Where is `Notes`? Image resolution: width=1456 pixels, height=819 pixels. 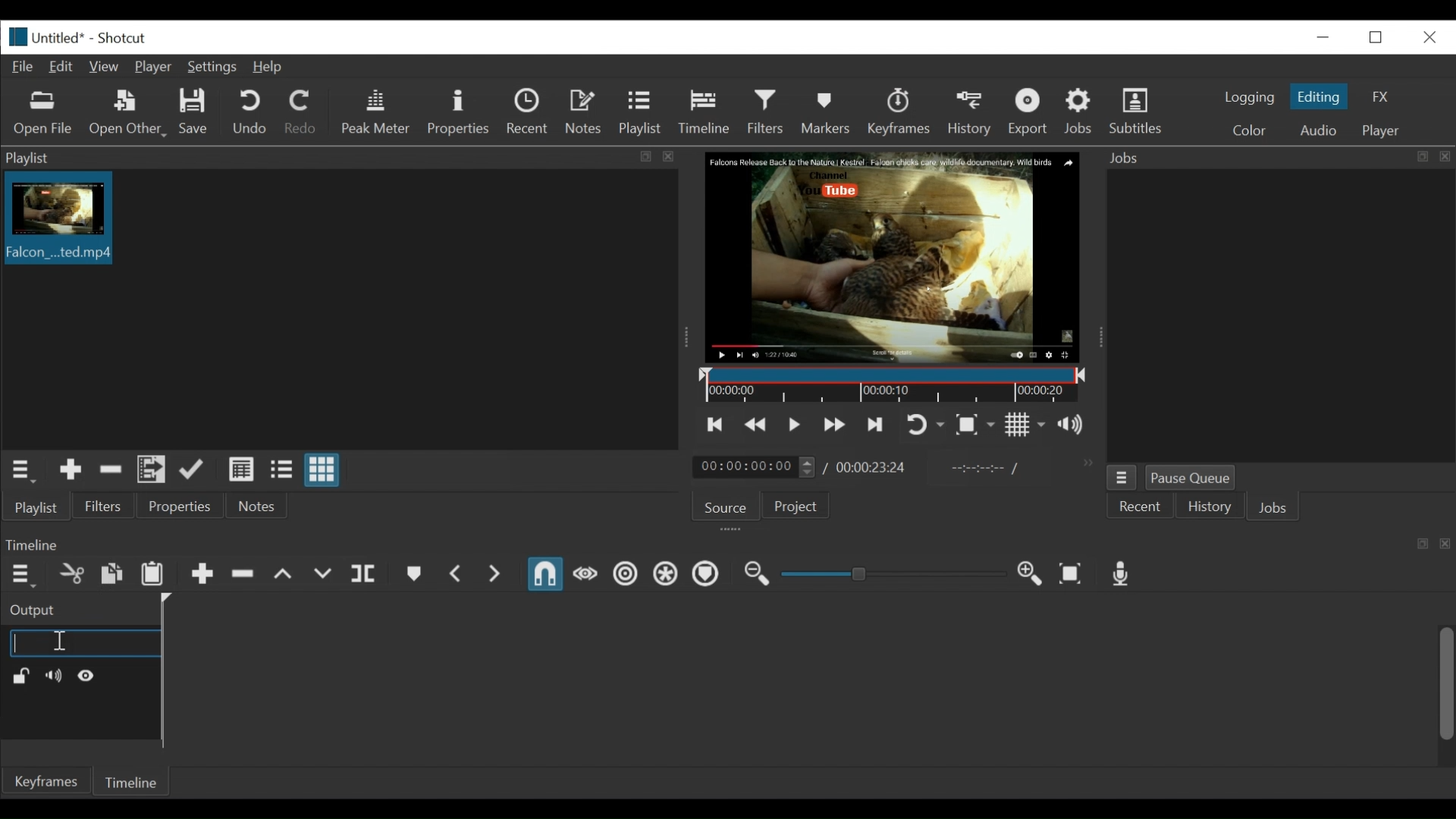
Notes is located at coordinates (260, 508).